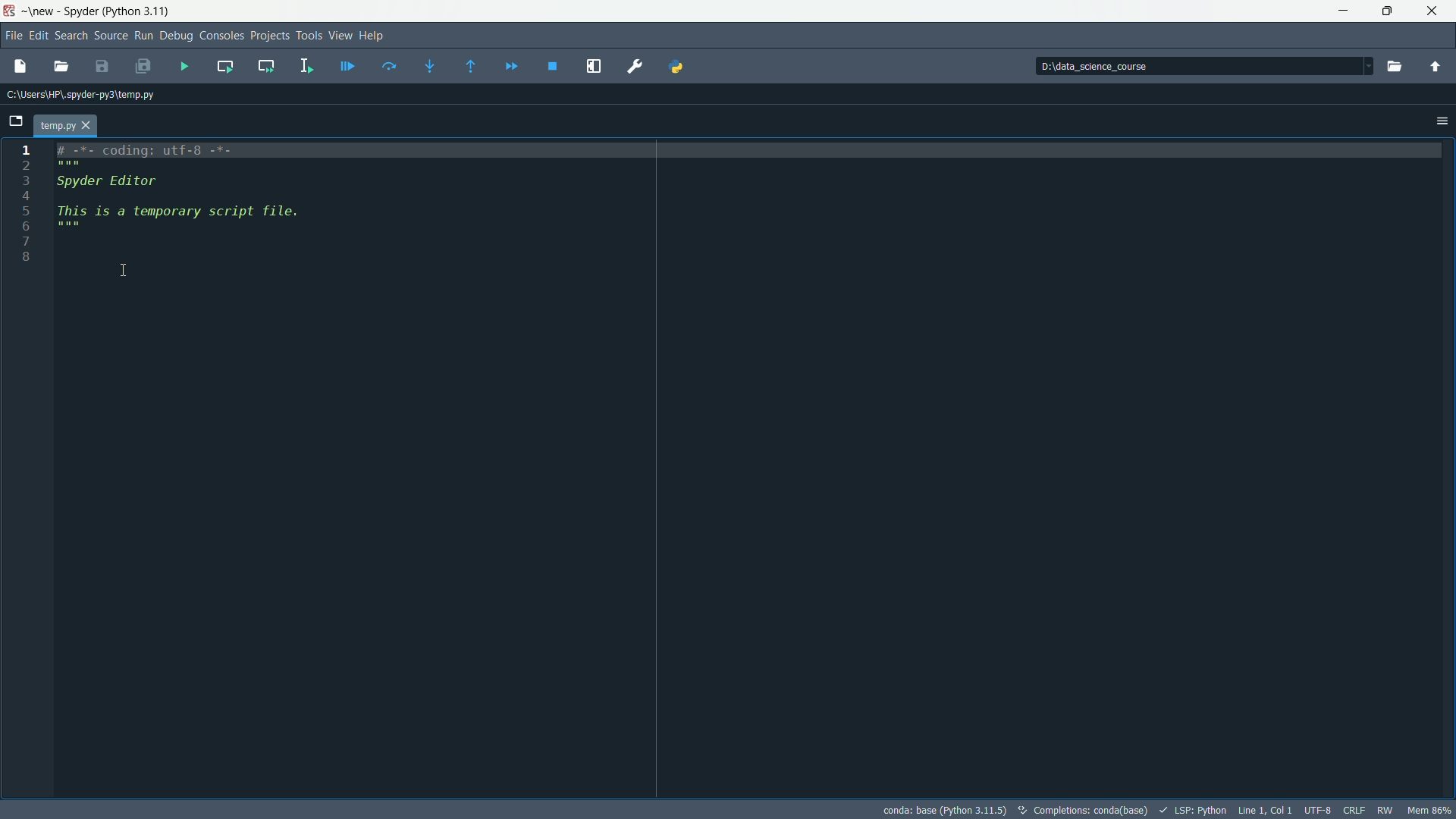 This screenshot has height=819, width=1456. Describe the element at coordinates (67, 227) in the screenshot. I see `6 ***` at that location.